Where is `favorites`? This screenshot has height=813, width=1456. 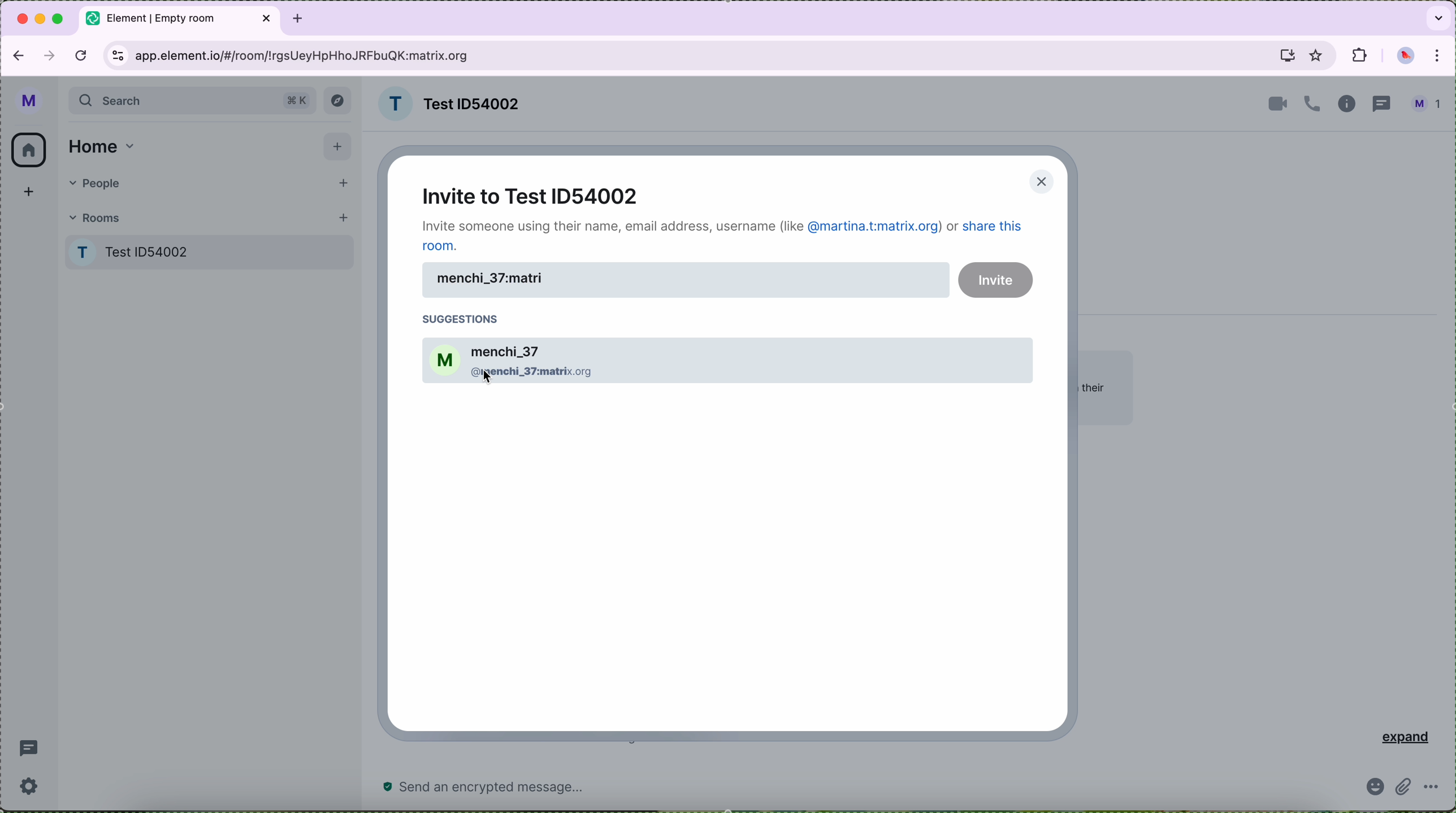 favorites is located at coordinates (1316, 55).